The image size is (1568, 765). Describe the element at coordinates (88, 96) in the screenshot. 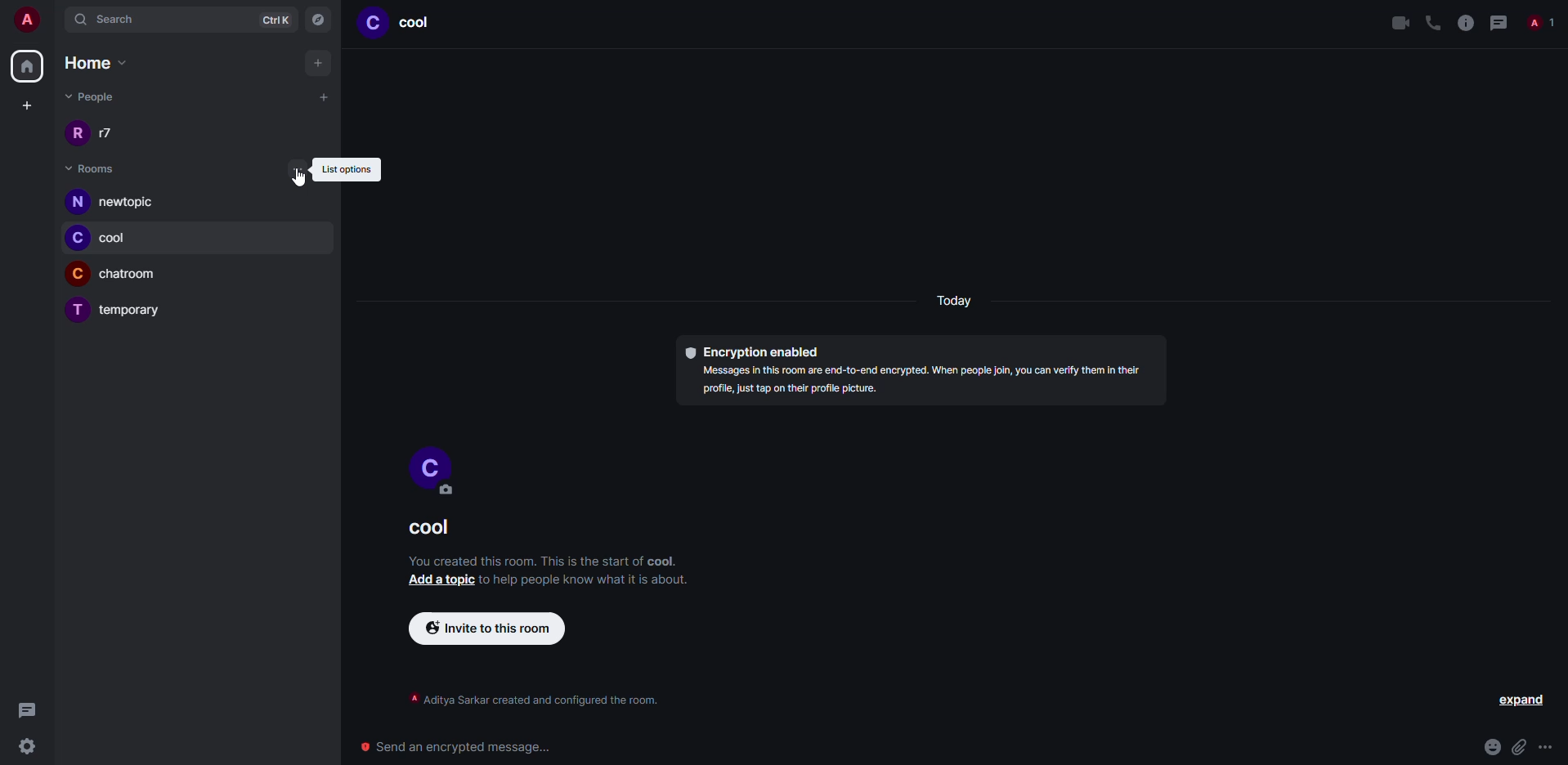

I see `people` at that location.